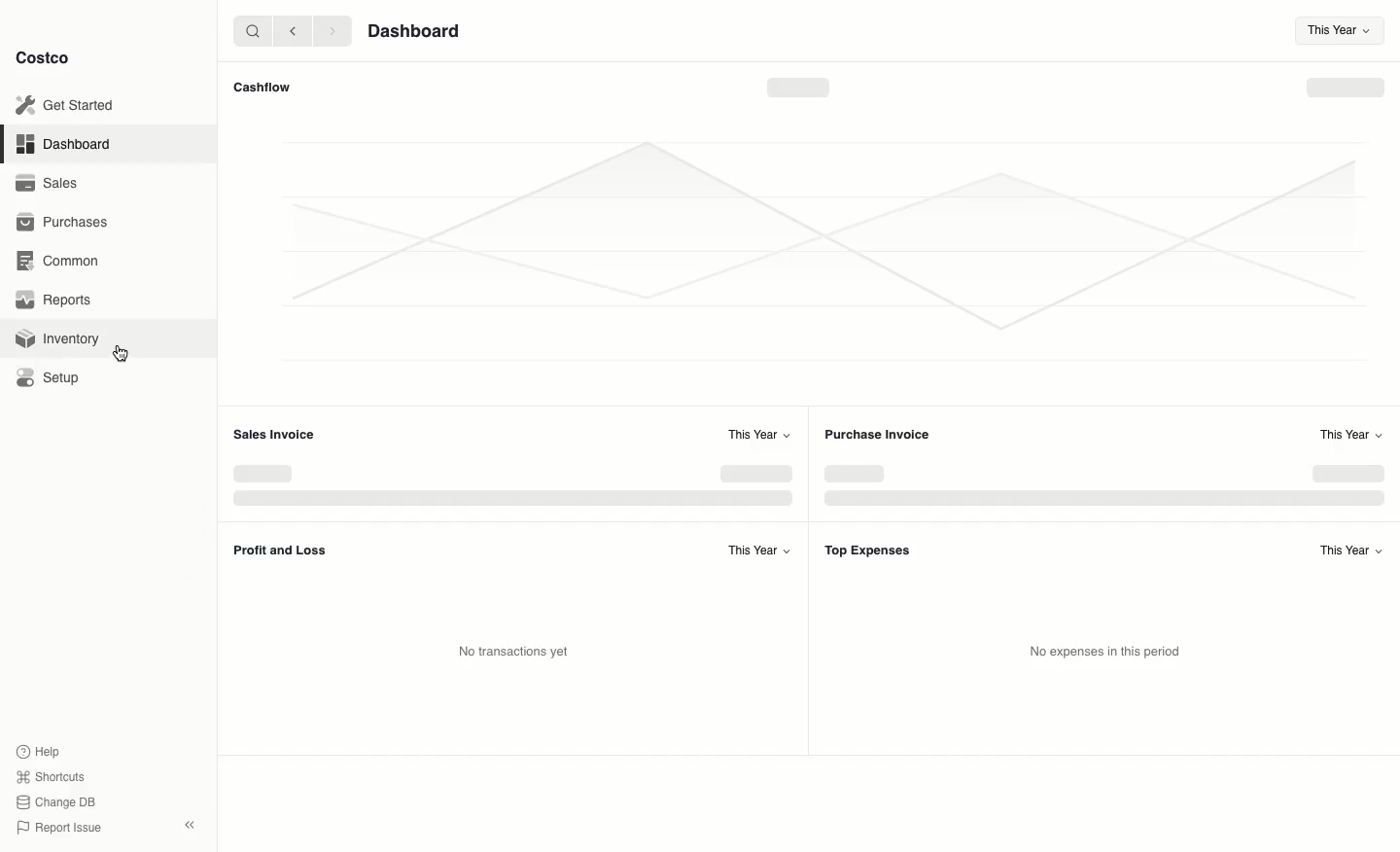 The image size is (1400, 852). What do you see at coordinates (515, 486) in the screenshot?
I see `Graph` at bounding box center [515, 486].